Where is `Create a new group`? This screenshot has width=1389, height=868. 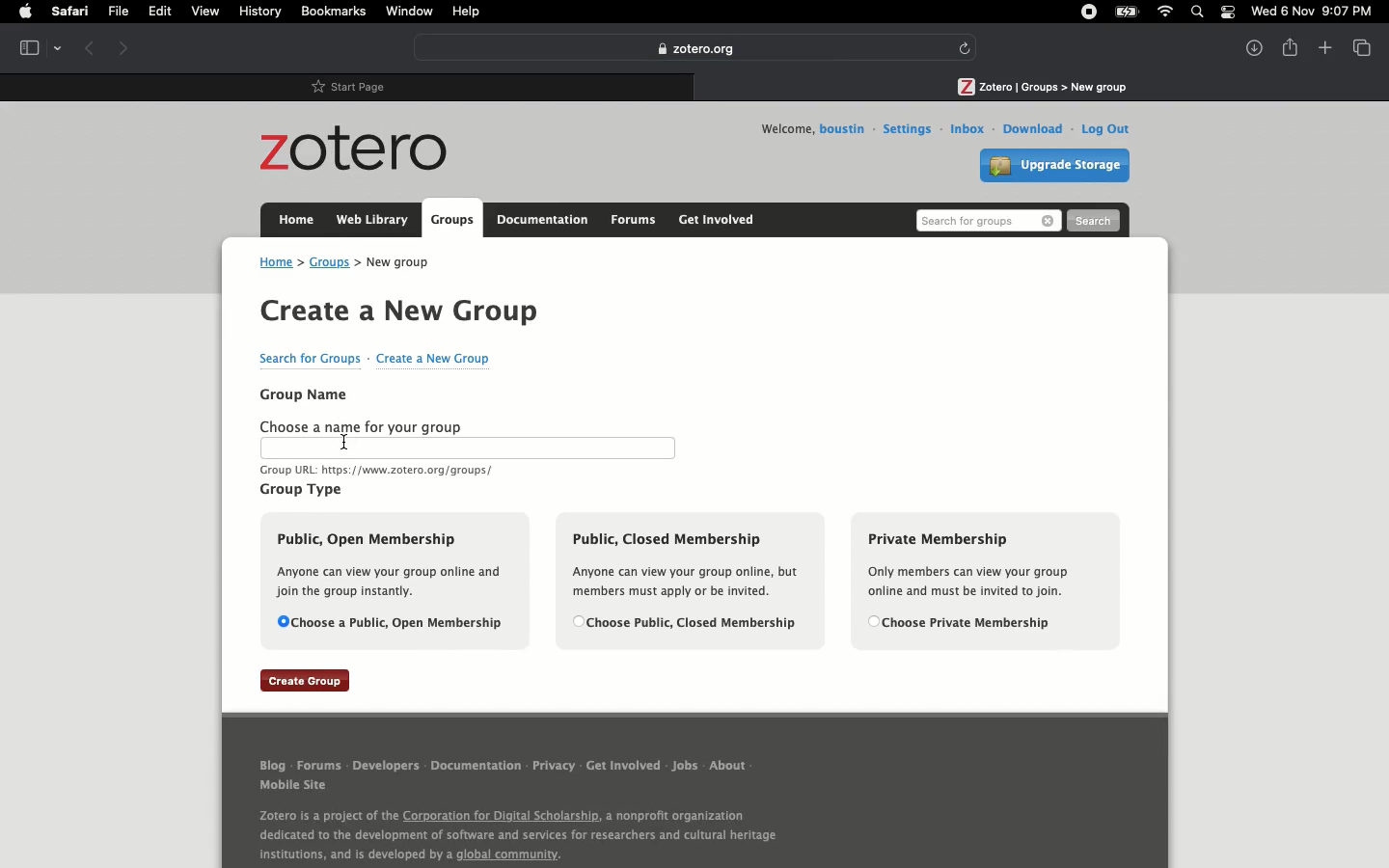
Create a new group is located at coordinates (434, 358).